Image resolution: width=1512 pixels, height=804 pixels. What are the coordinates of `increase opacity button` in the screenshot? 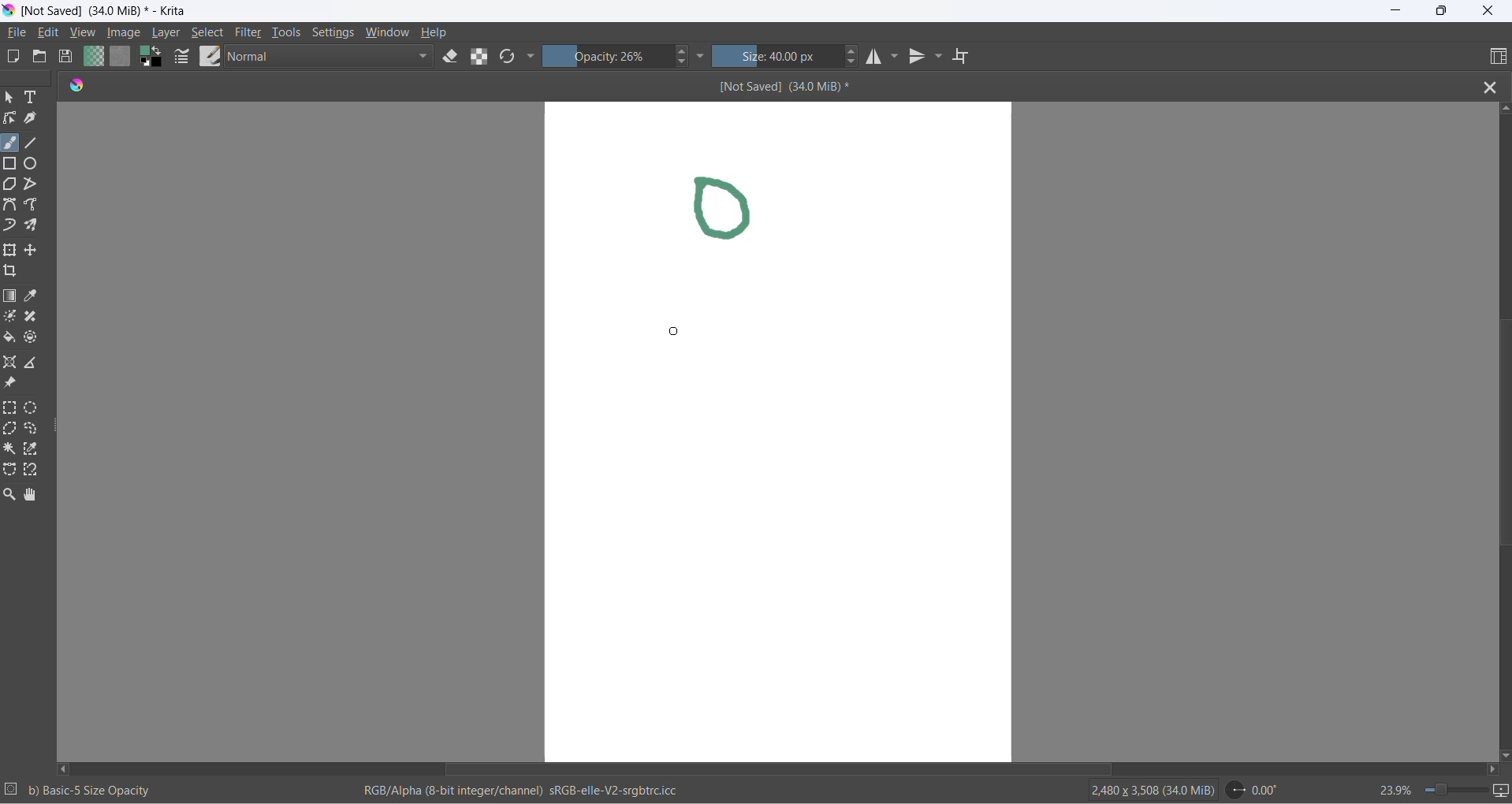 It's located at (683, 50).